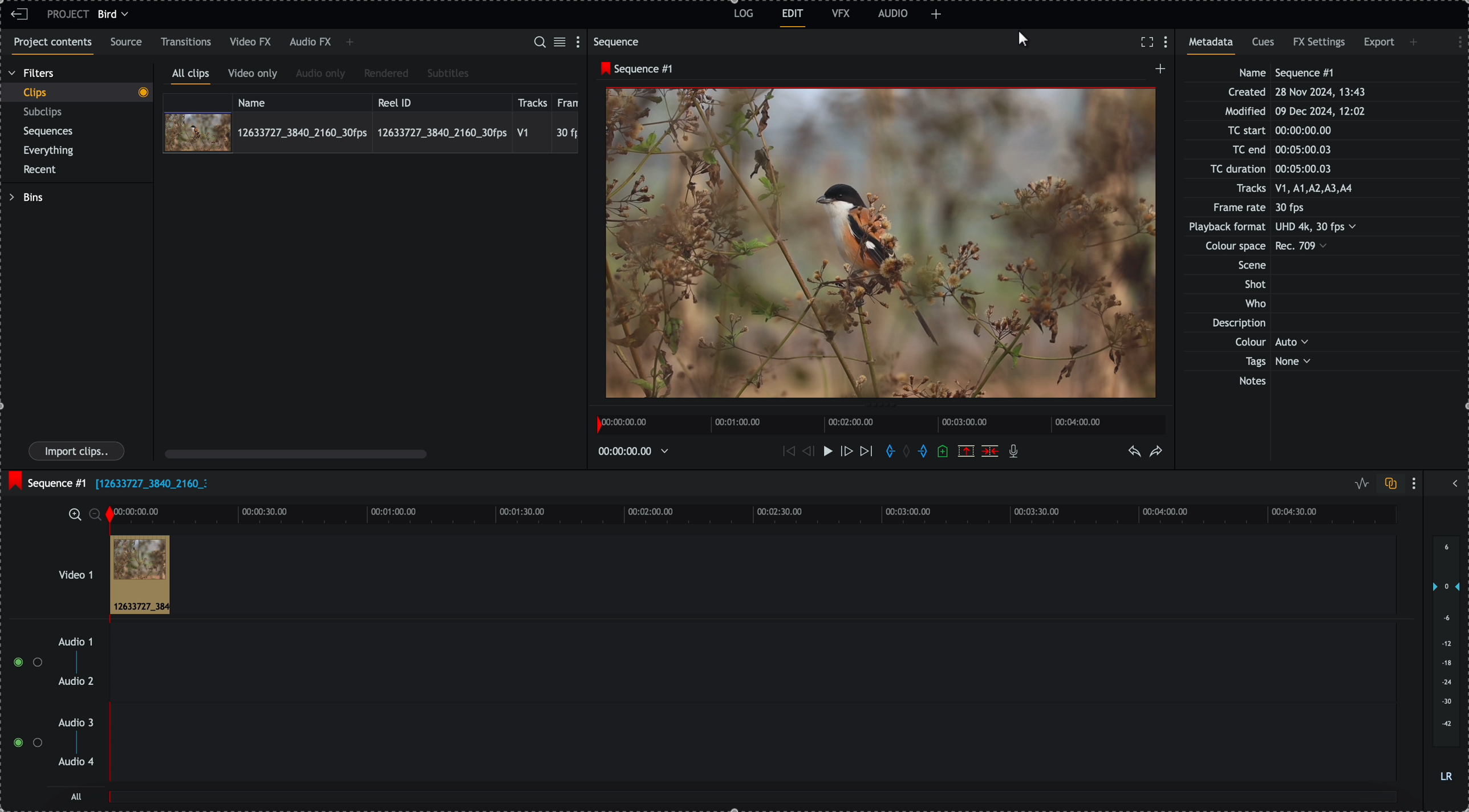  What do you see at coordinates (752, 666) in the screenshot?
I see `track audio` at bounding box center [752, 666].